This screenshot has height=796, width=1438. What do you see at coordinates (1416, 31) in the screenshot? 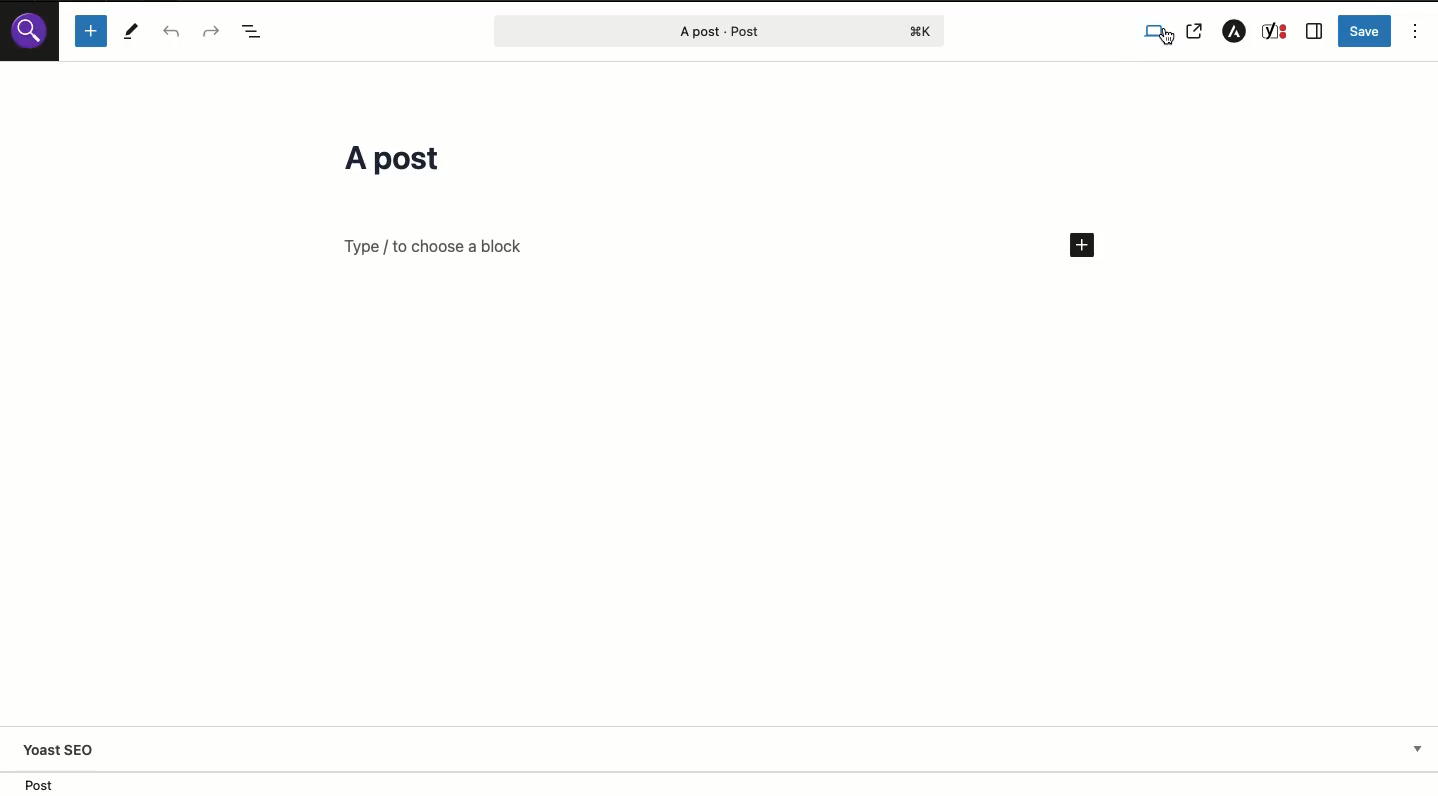
I see `Options` at bounding box center [1416, 31].